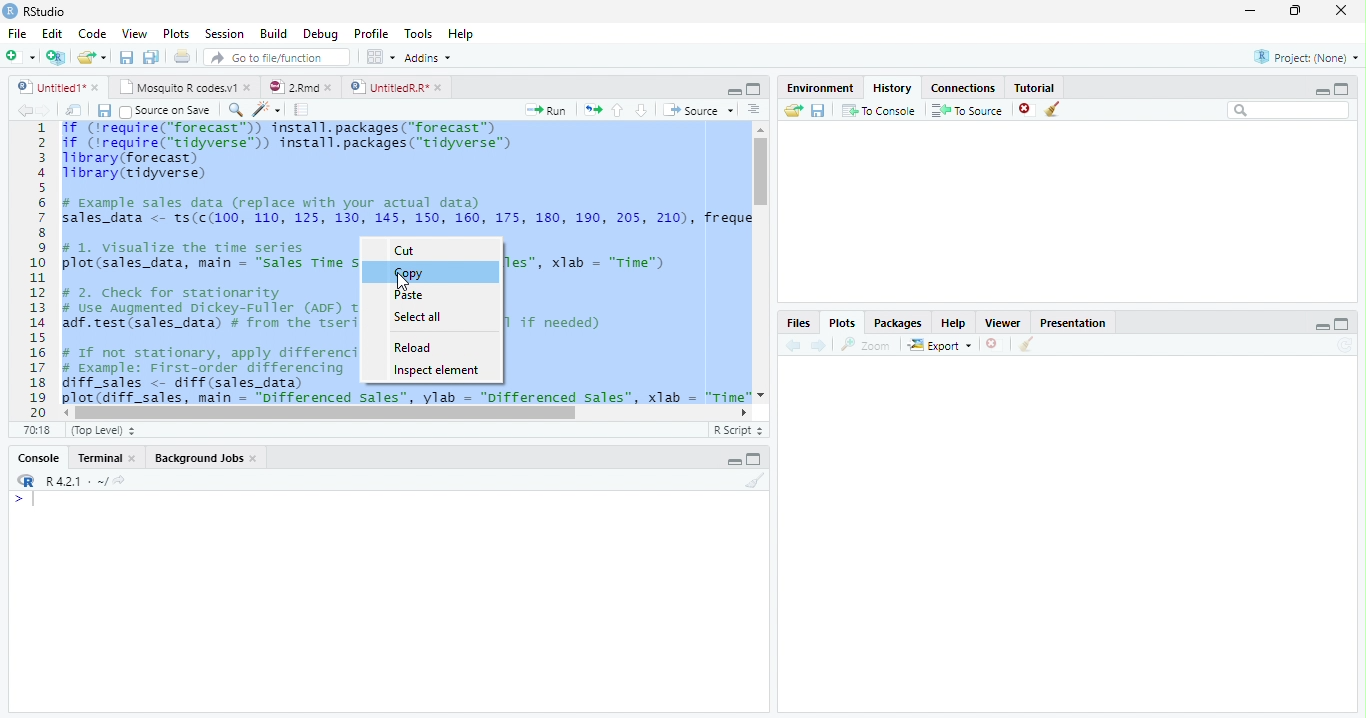 Image resolution: width=1366 pixels, height=718 pixels. What do you see at coordinates (899, 324) in the screenshot?
I see `Packages` at bounding box center [899, 324].